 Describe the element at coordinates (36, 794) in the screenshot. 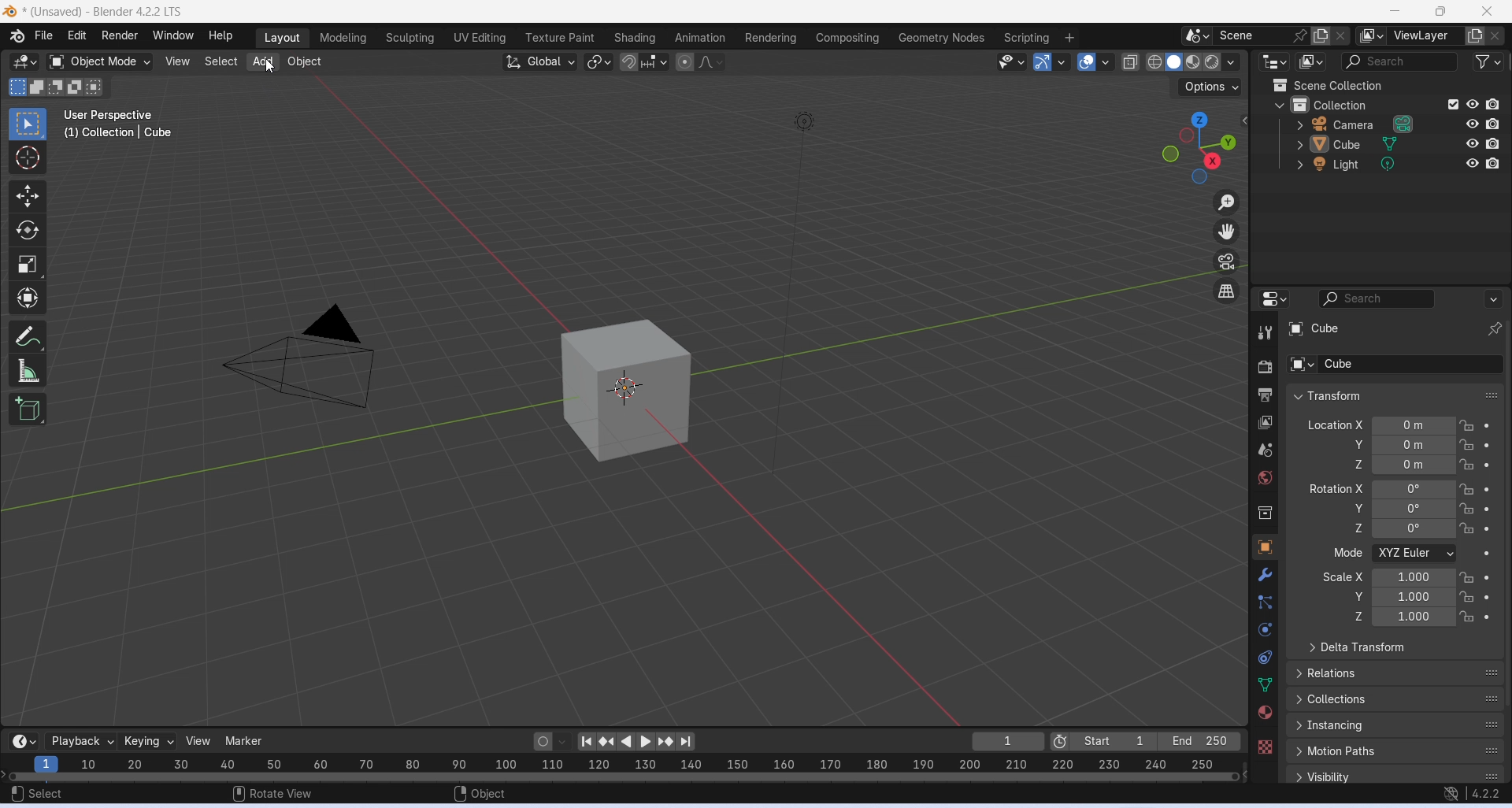

I see `use left click to "select"` at that location.